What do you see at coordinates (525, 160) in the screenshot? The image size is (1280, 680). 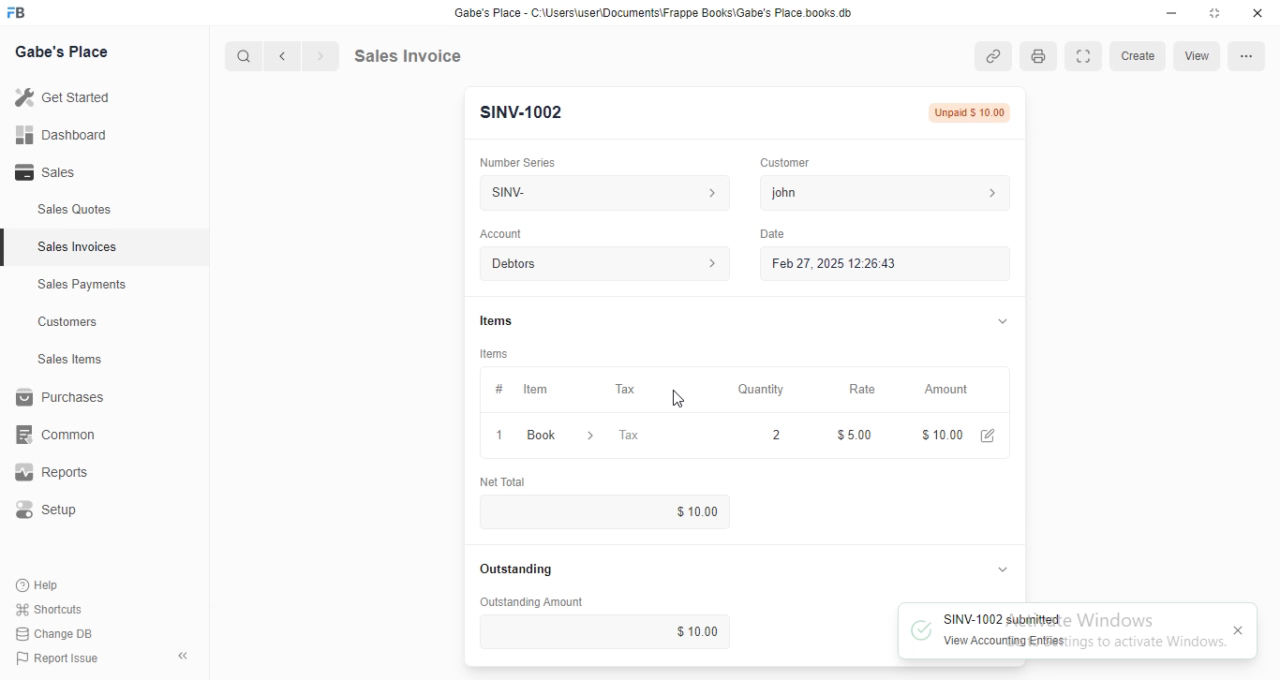 I see `Number Series` at bounding box center [525, 160].